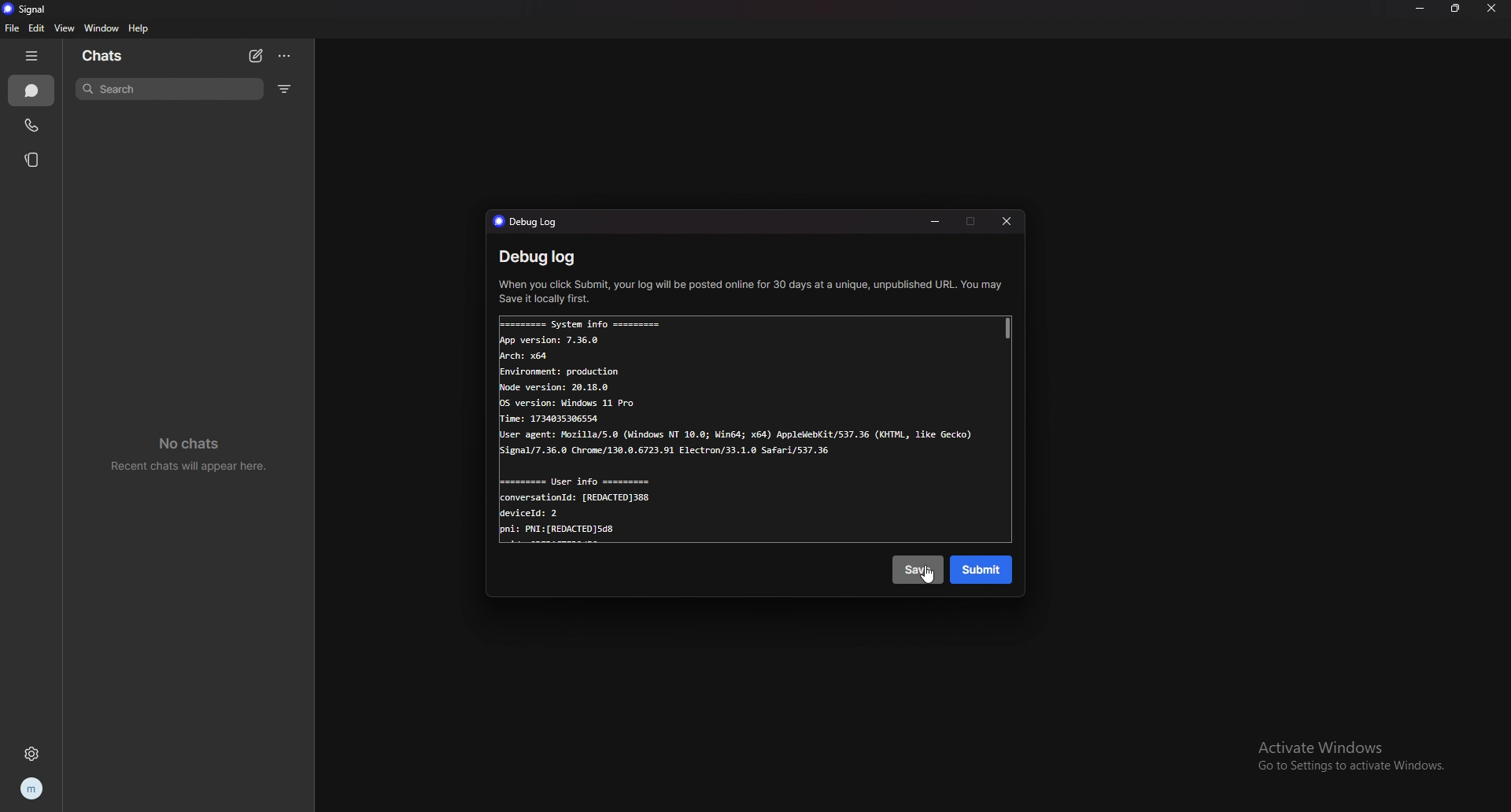 The height and width of the screenshot is (812, 1511). Describe the element at coordinates (540, 257) in the screenshot. I see `debug log` at that location.